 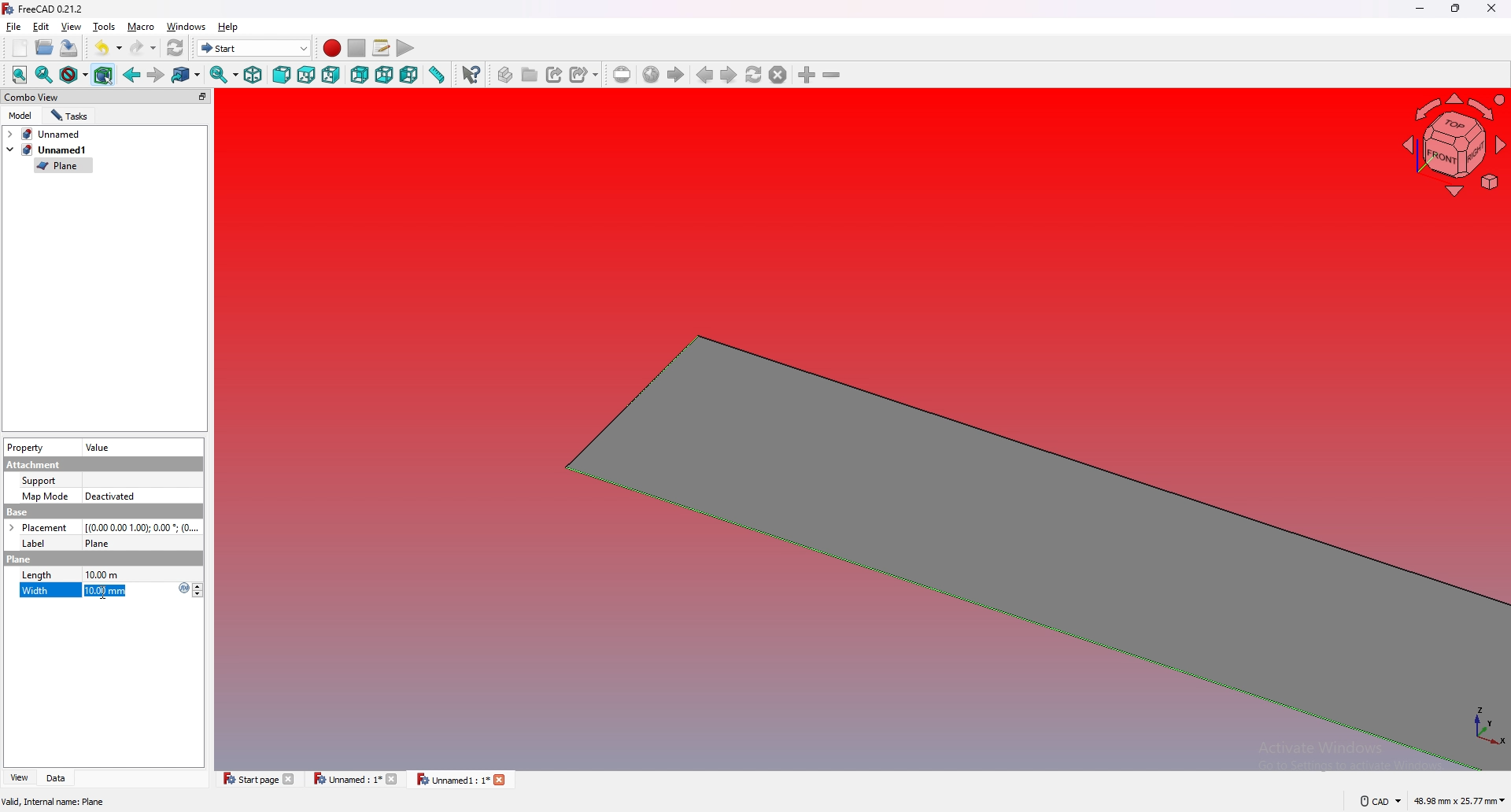 What do you see at coordinates (113, 496) in the screenshot?
I see `Deactivated` at bounding box center [113, 496].